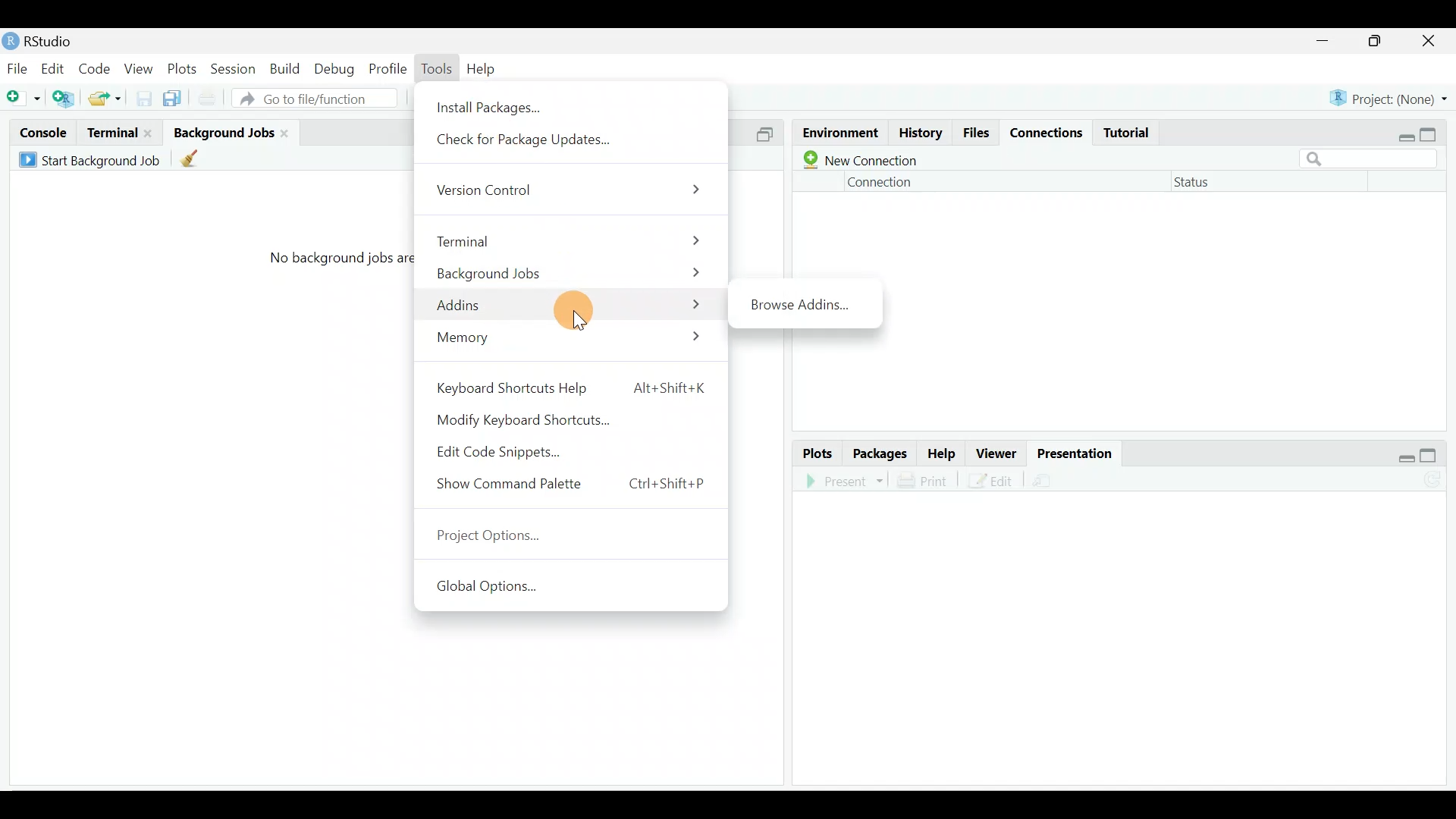 This screenshot has height=819, width=1456. I want to click on Tutorial, so click(1129, 133).